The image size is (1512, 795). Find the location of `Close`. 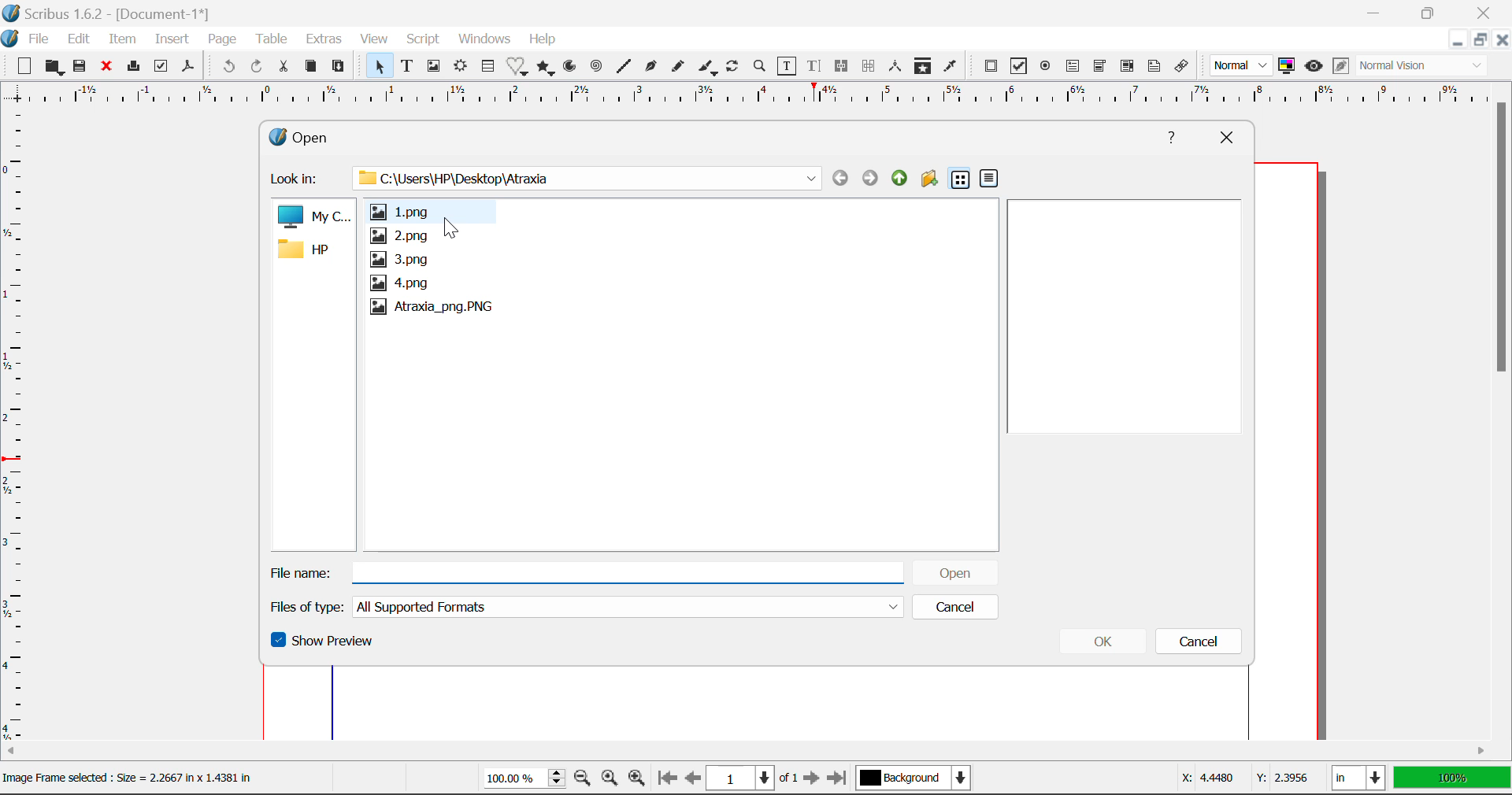

Close is located at coordinates (1488, 13).